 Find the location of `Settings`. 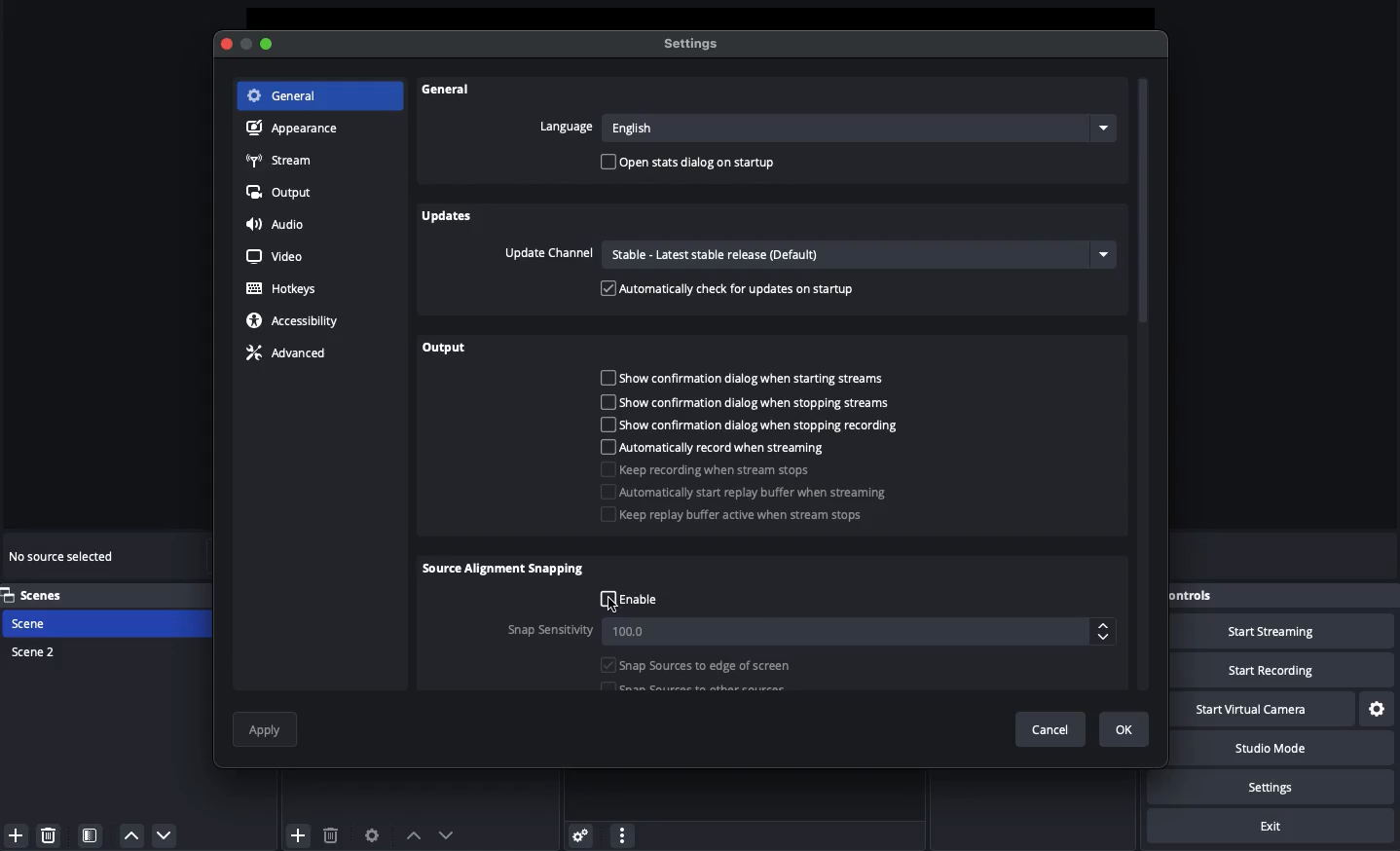

Settings is located at coordinates (695, 45).